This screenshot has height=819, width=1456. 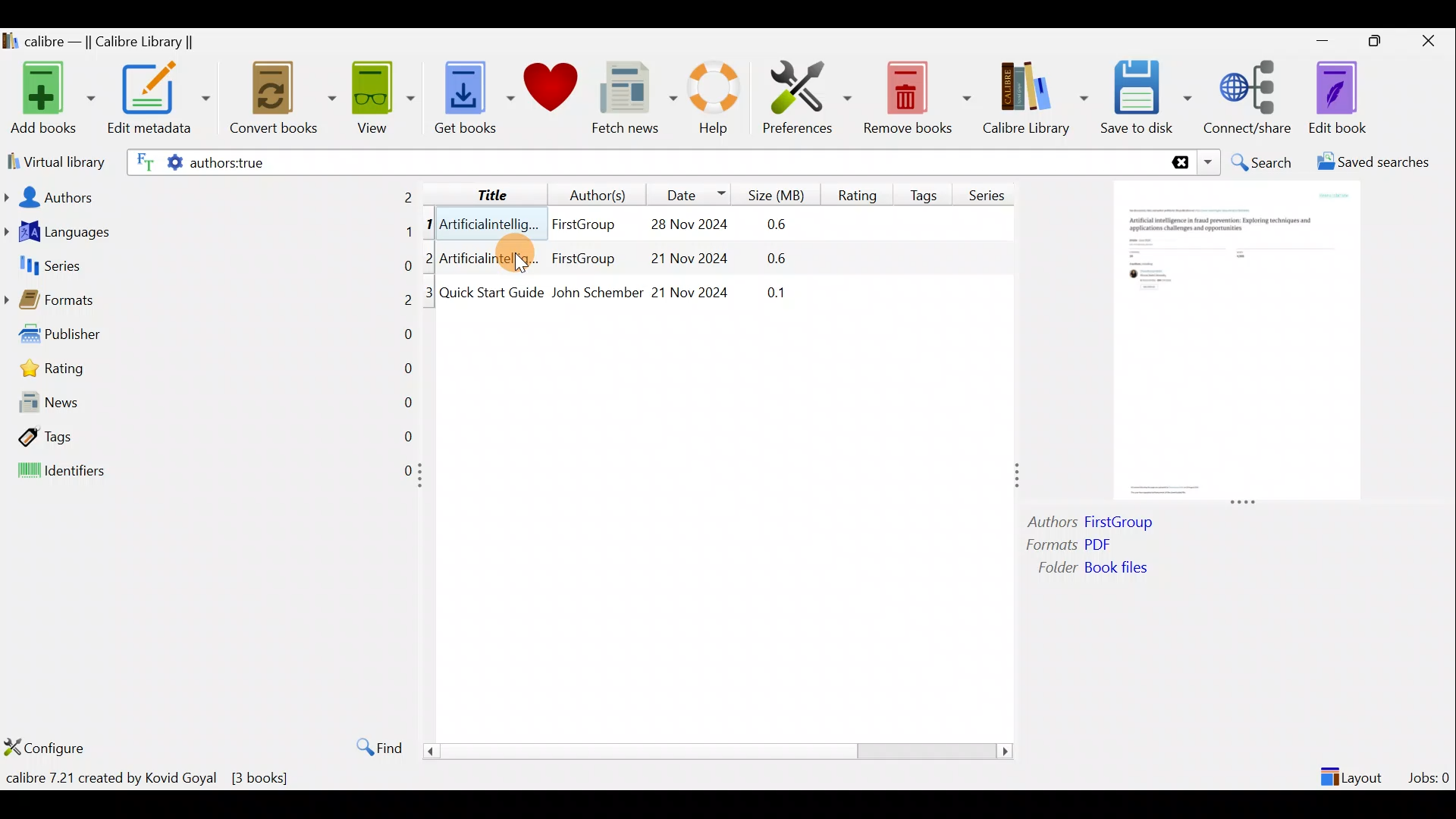 What do you see at coordinates (491, 260) in the screenshot?
I see `Artificial intellig` at bounding box center [491, 260].